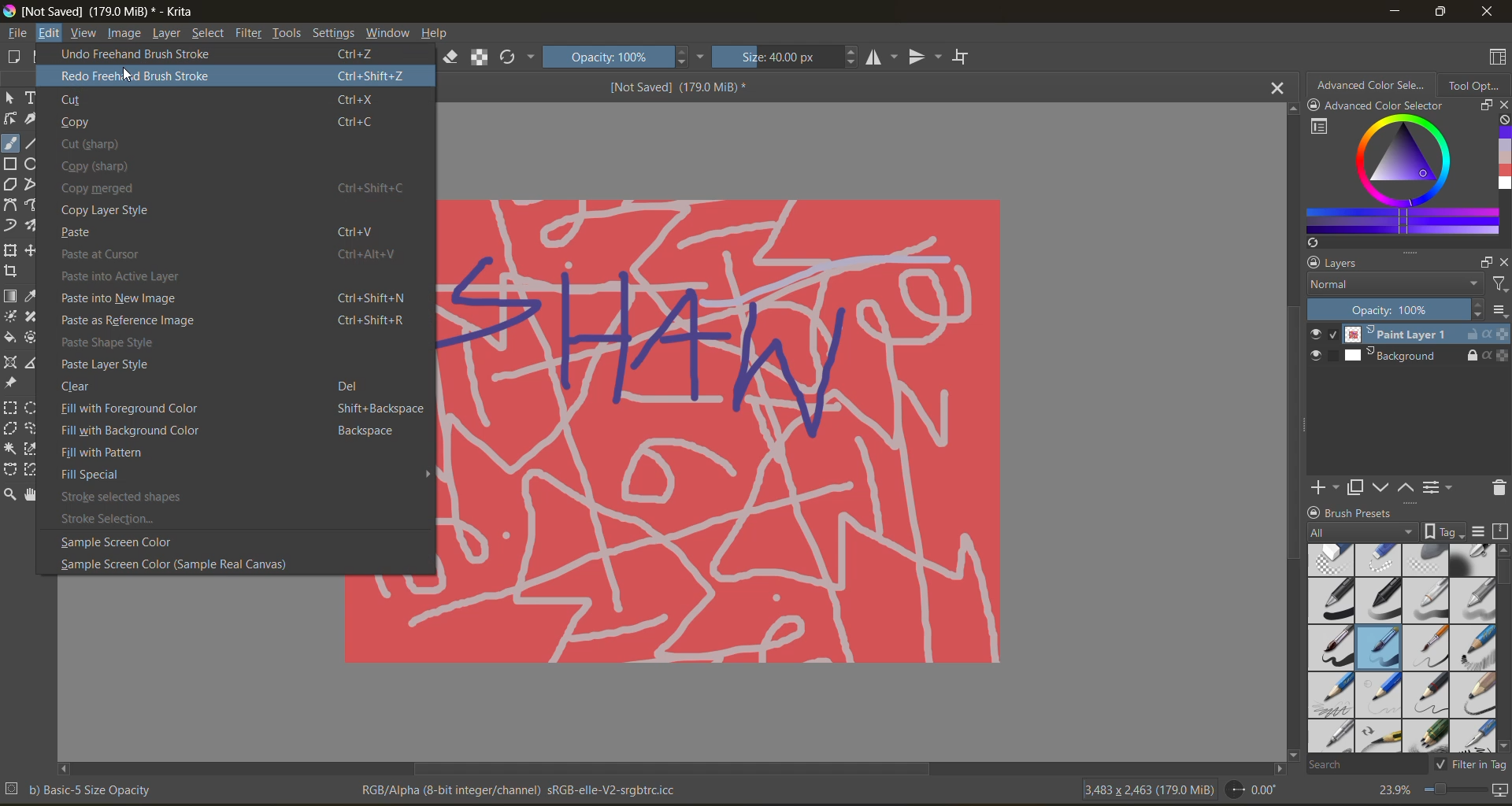  What do you see at coordinates (1499, 792) in the screenshot?
I see `map canvas` at bounding box center [1499, 792].